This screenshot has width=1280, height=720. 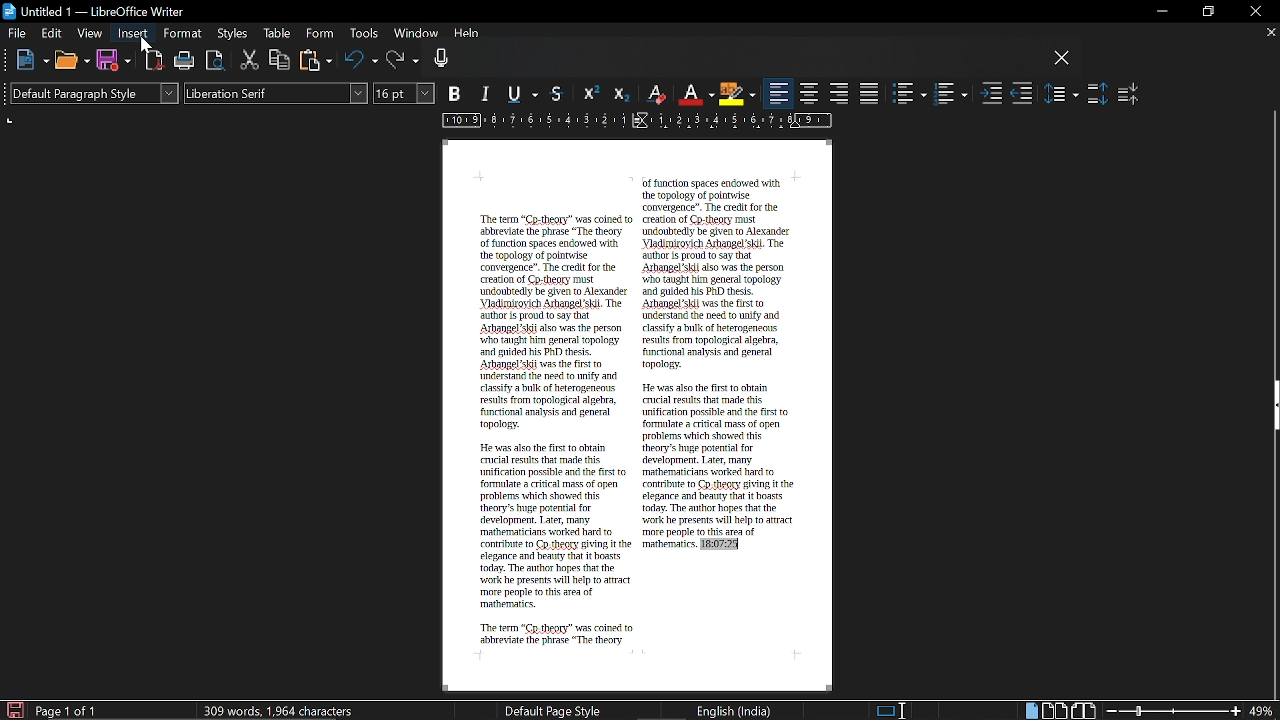 What do you see at coordinates (141, 48) in the screenshot?
I see `cursor` at bounding box center [141, 48].